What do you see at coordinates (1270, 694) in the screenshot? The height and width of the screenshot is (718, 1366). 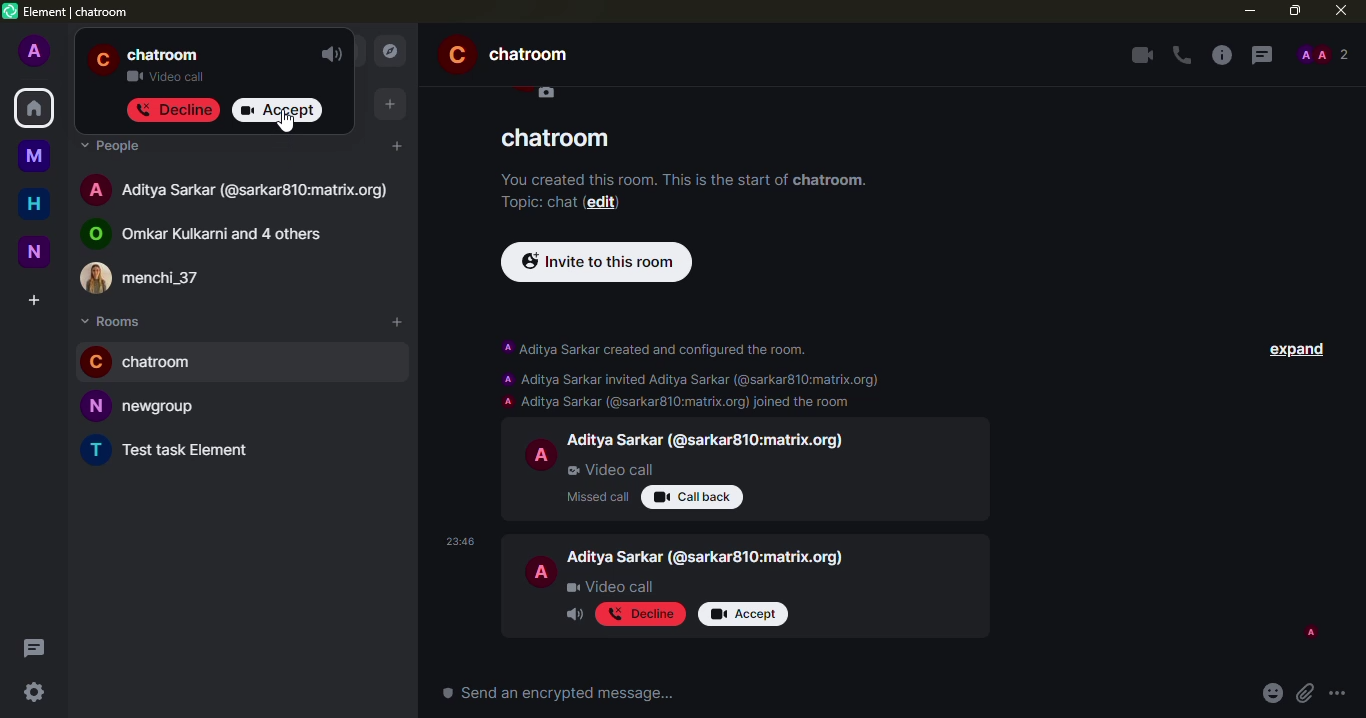 I see `emoji` at bounding box center [1270, 694].